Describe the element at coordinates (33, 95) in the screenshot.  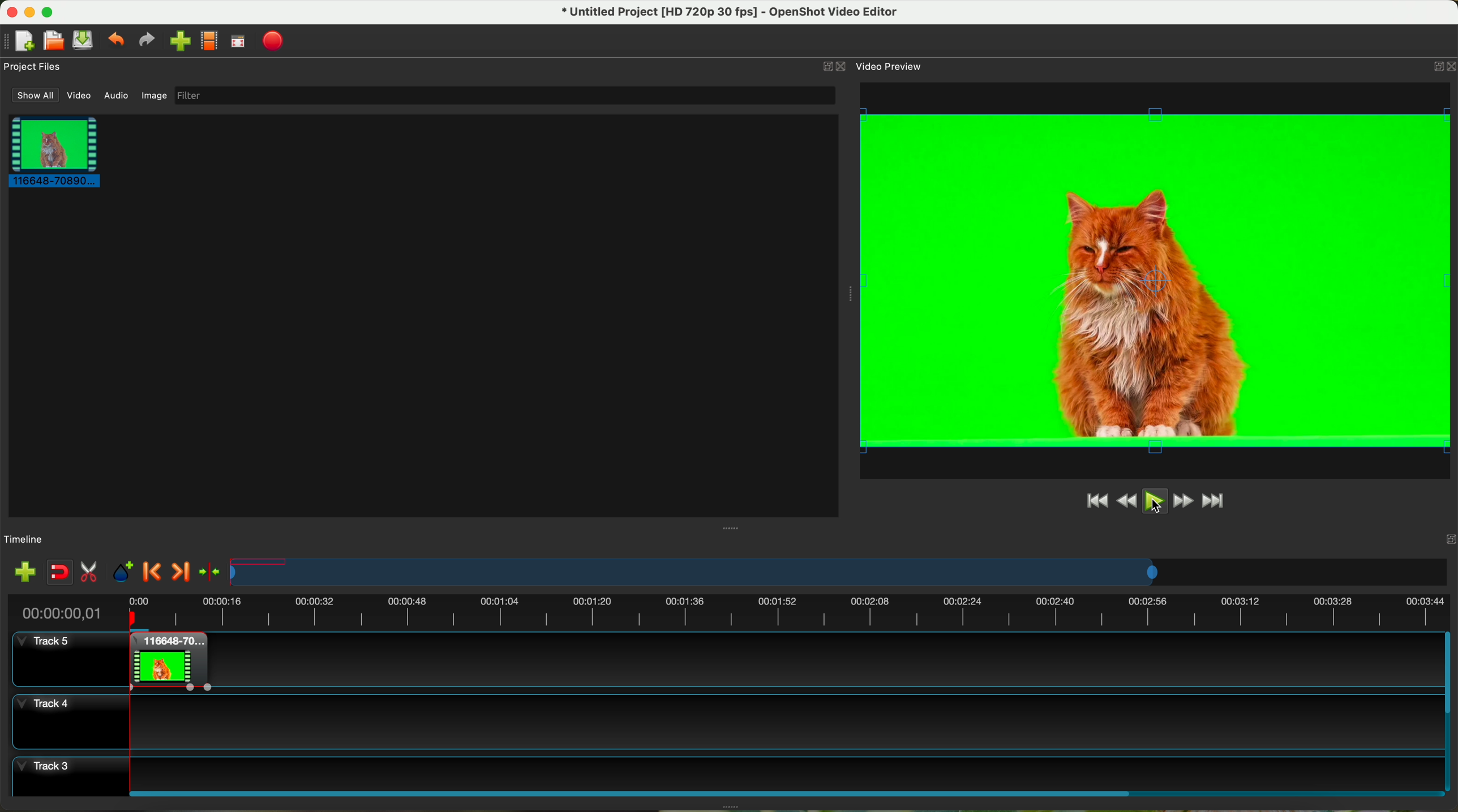
I see `show all` at that location.